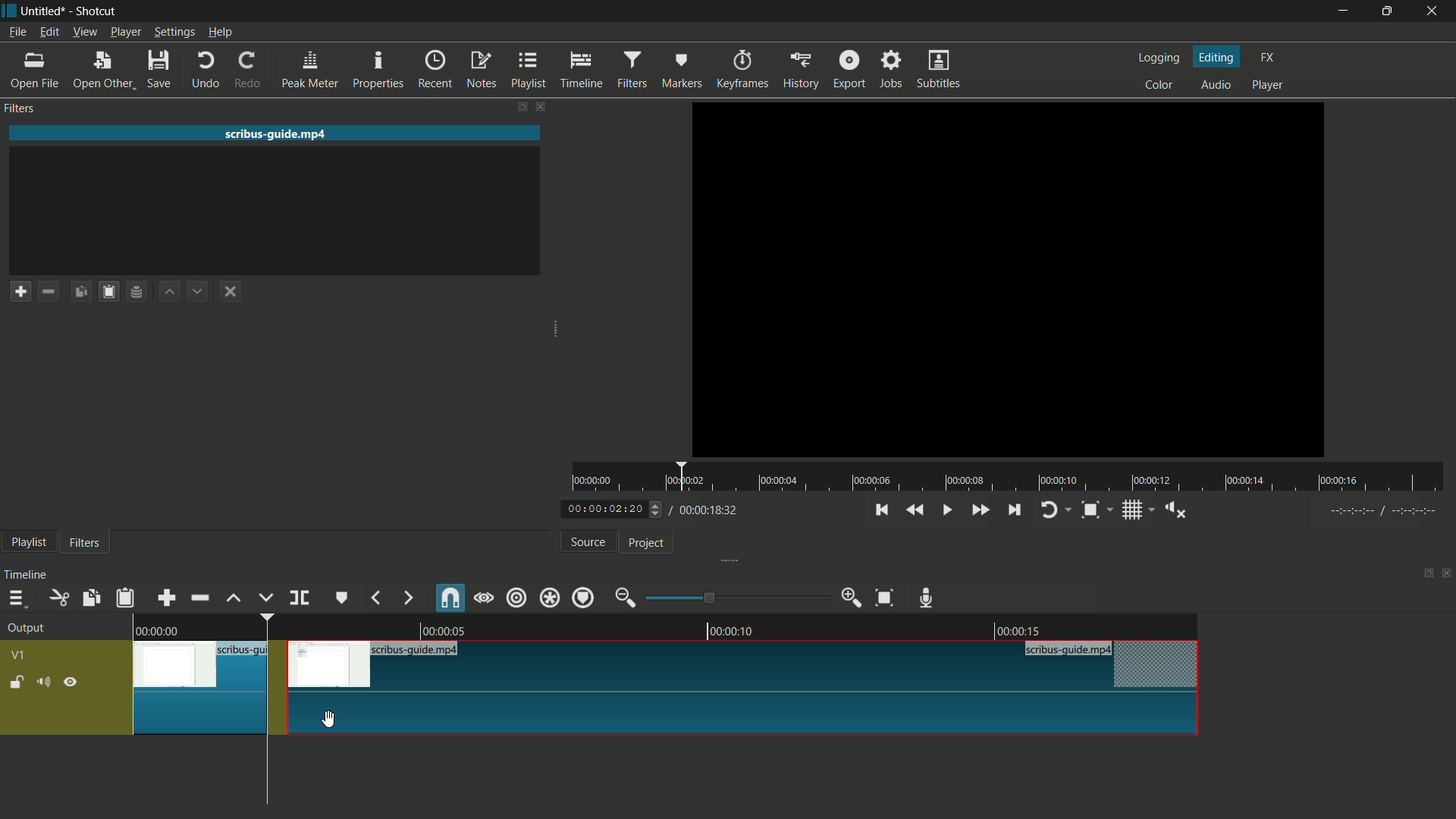 The width and height of the screenshot is (1456, 819). I want to click on remove a filter, so click(49, 291).